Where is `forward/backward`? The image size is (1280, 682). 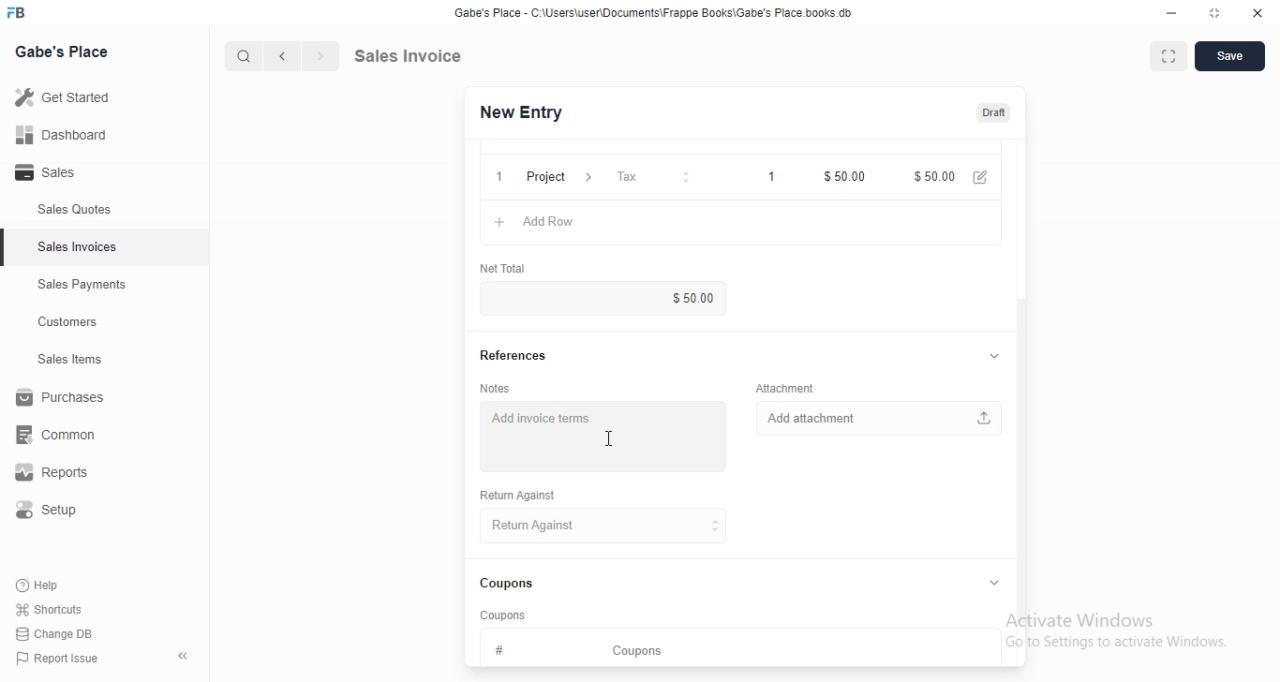
forward/backward is located at coordinates (300, 56).